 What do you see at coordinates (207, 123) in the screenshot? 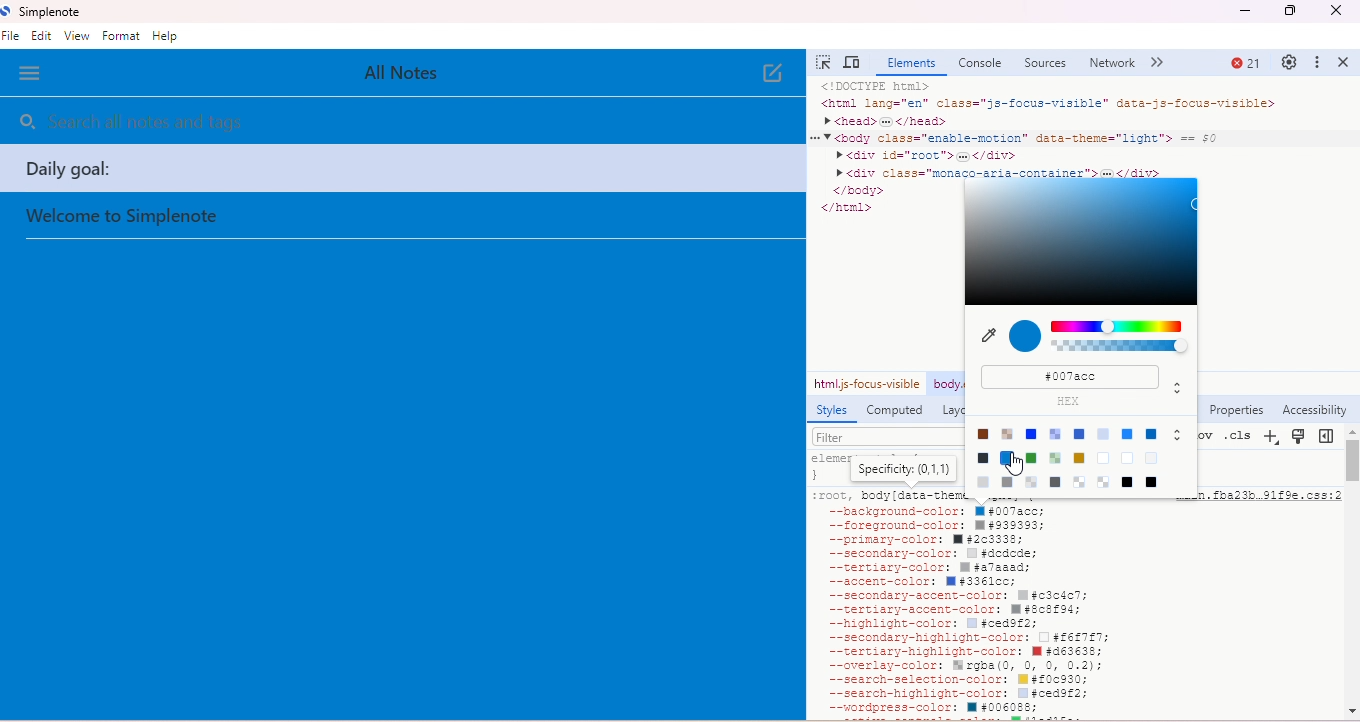
I see `search bar` at bounding box center [207, 123].